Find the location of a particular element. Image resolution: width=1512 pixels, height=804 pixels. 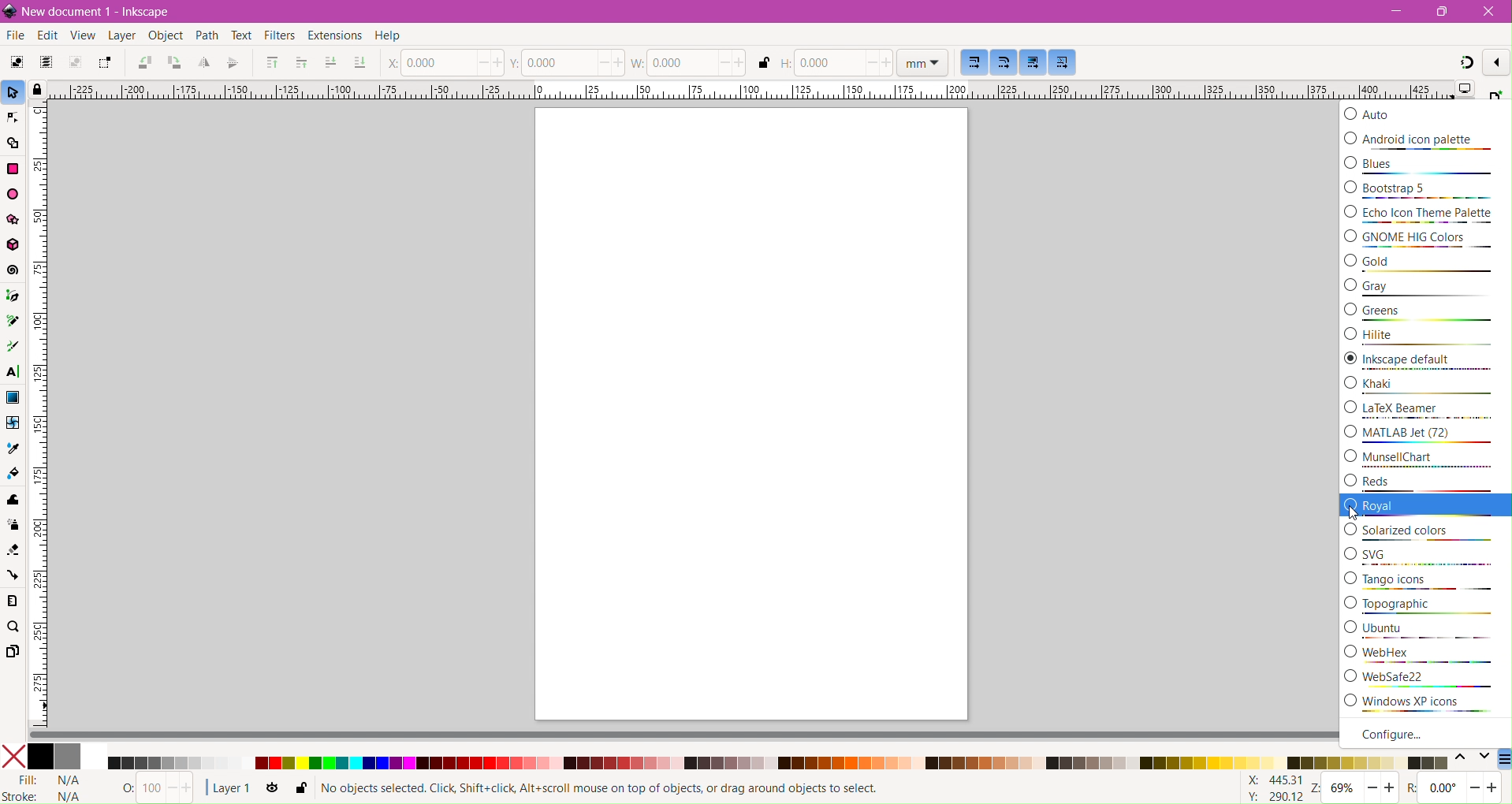

Blues is located at coordinates (1424, 166).